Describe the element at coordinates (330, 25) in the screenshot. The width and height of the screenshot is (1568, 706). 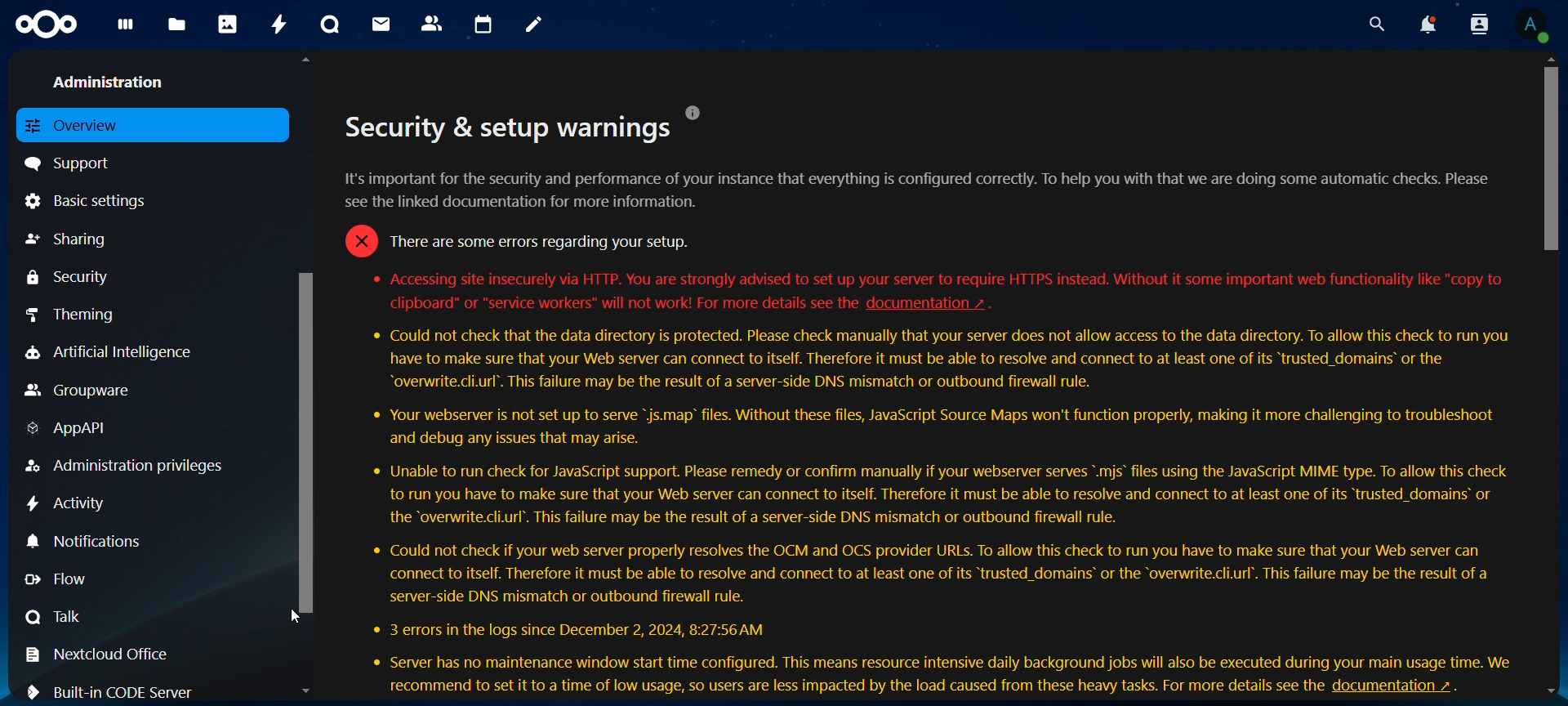
I see `talk` at that location.